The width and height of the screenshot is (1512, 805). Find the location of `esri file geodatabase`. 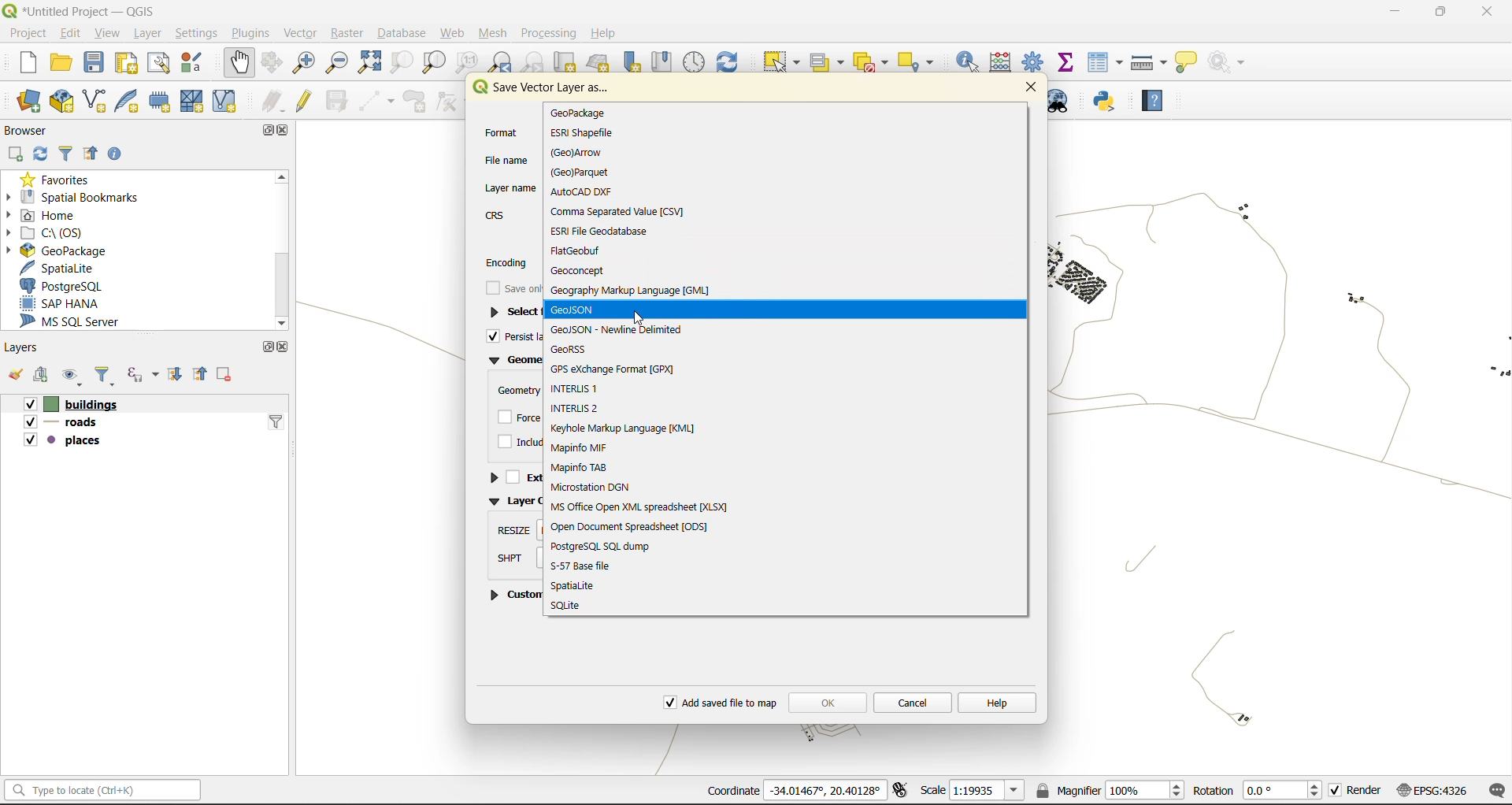

esri file geodatabase is located at coordinates (600, 230).